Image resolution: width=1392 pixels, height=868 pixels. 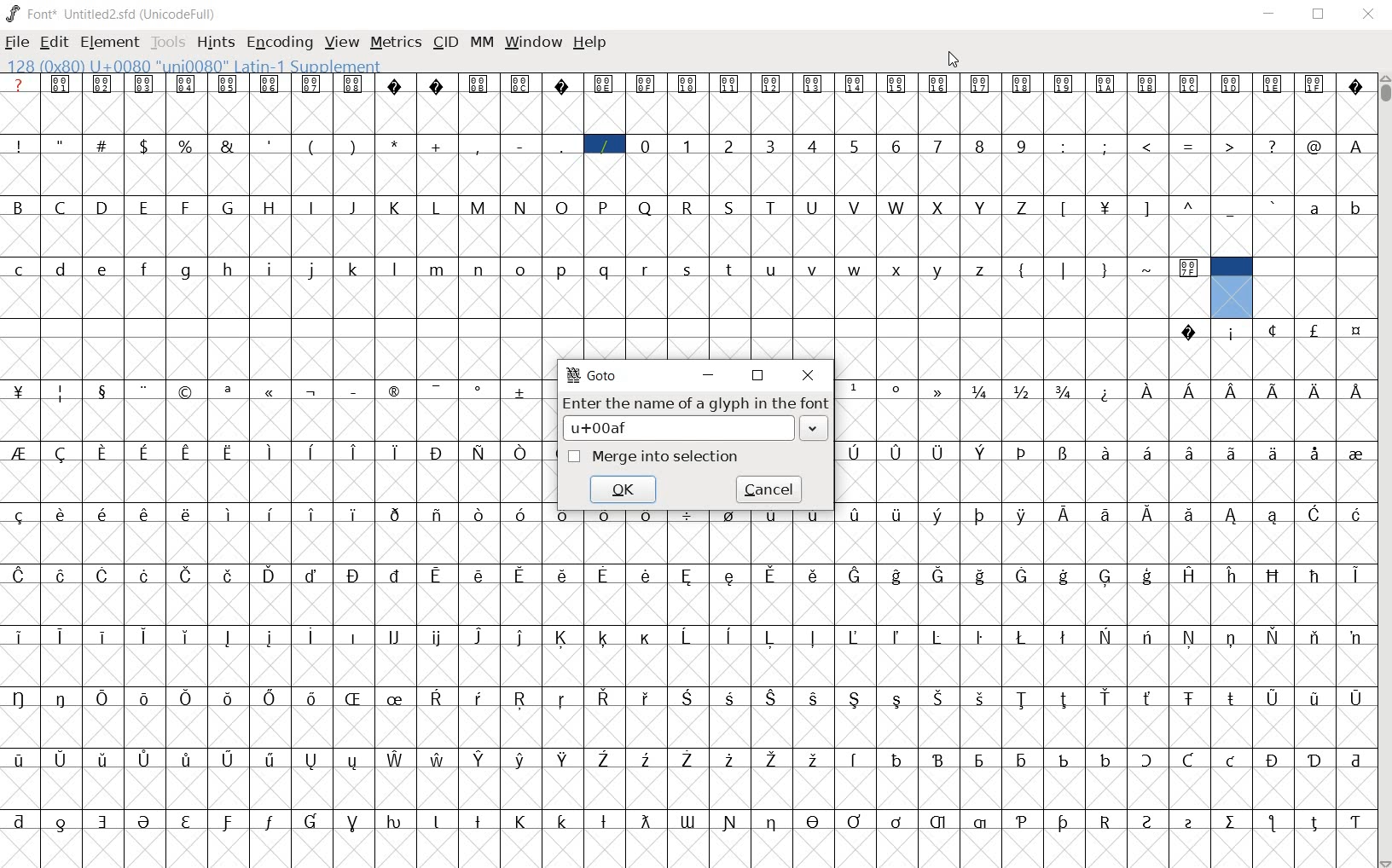 What do you see at coordinates (146, 84) in the screenshot?
I see `Symbol` at bounding box center [146, 84].